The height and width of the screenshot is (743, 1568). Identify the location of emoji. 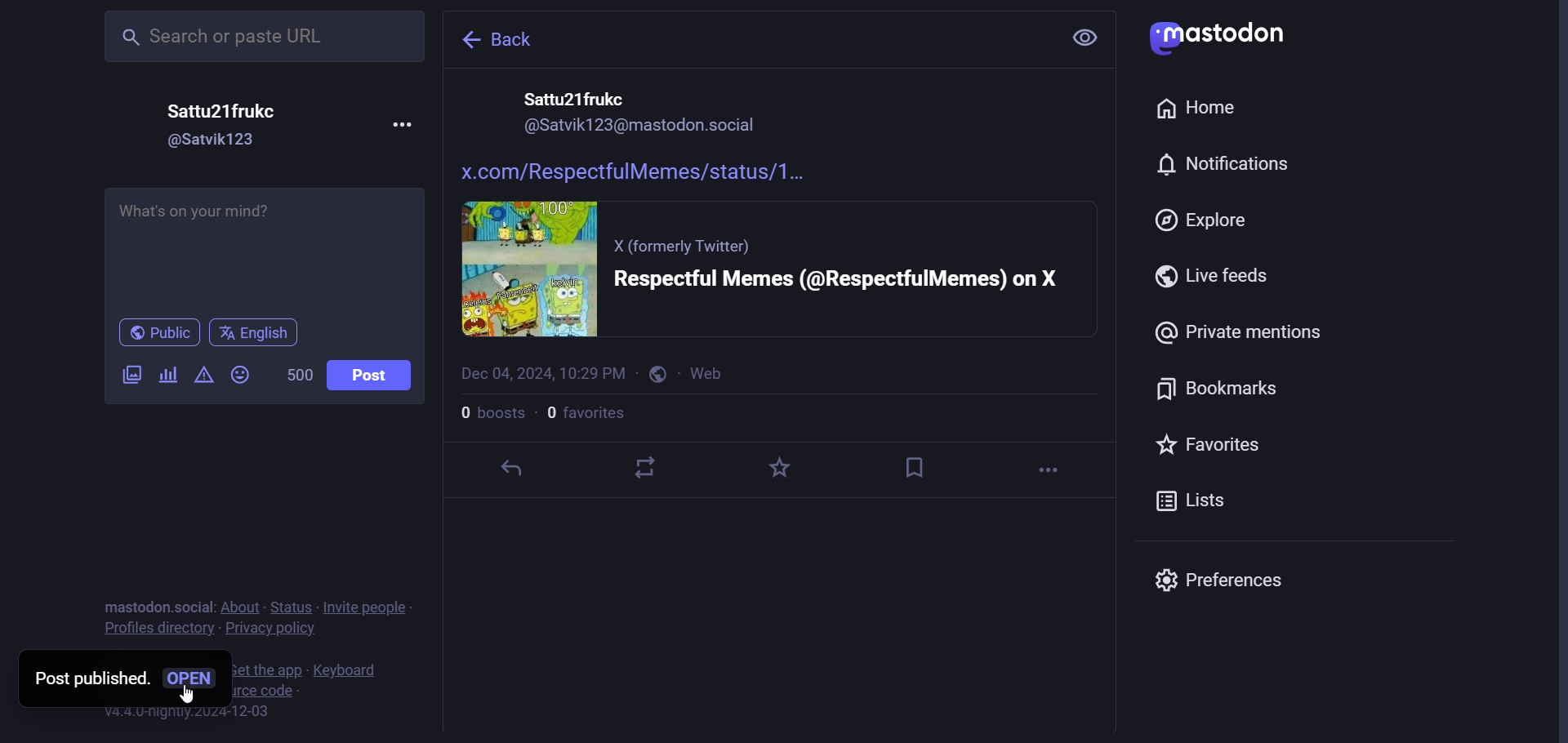
(241, 376).